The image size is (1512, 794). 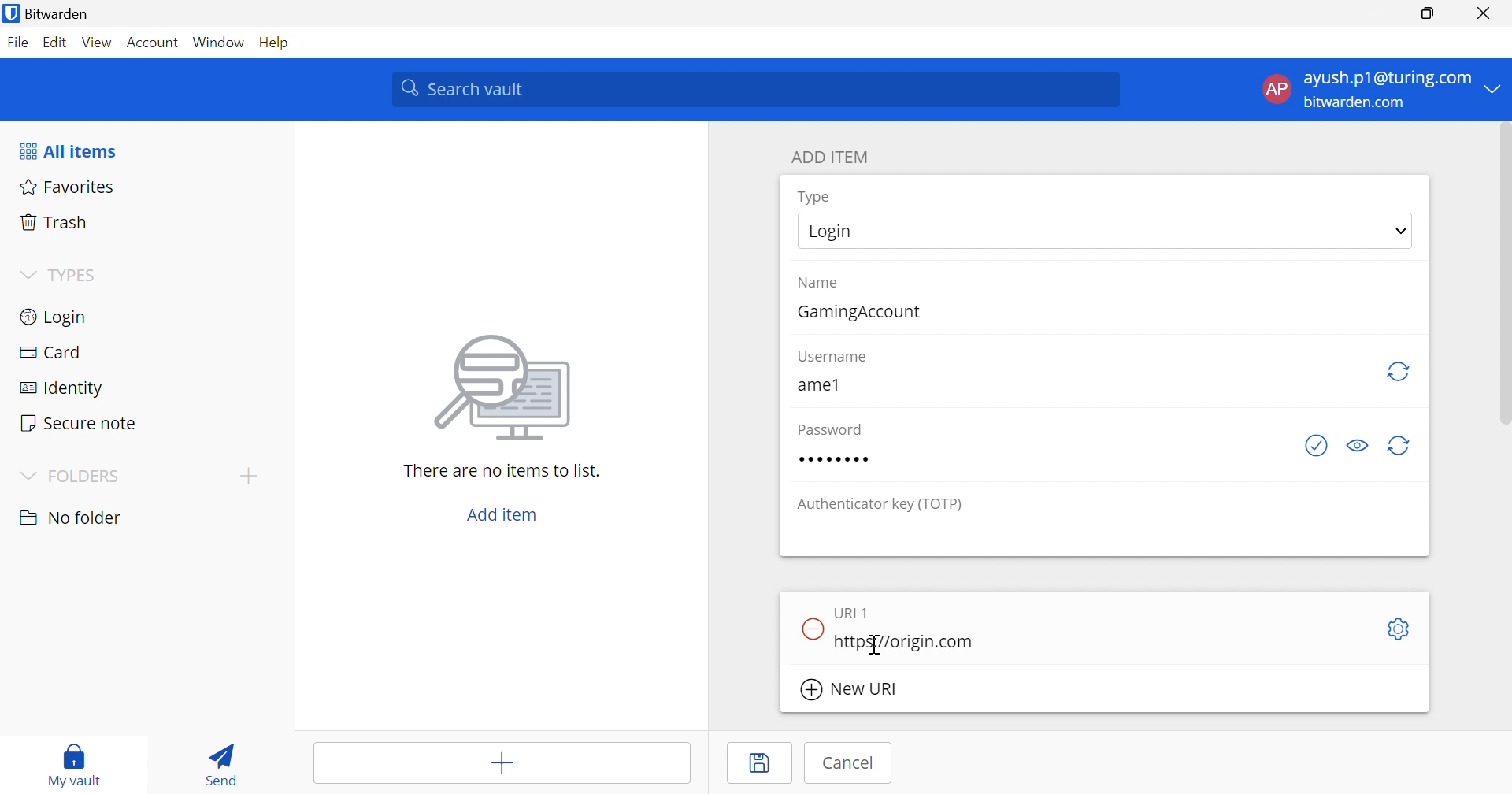 I want to click on Login, so click(x=834, y=232).